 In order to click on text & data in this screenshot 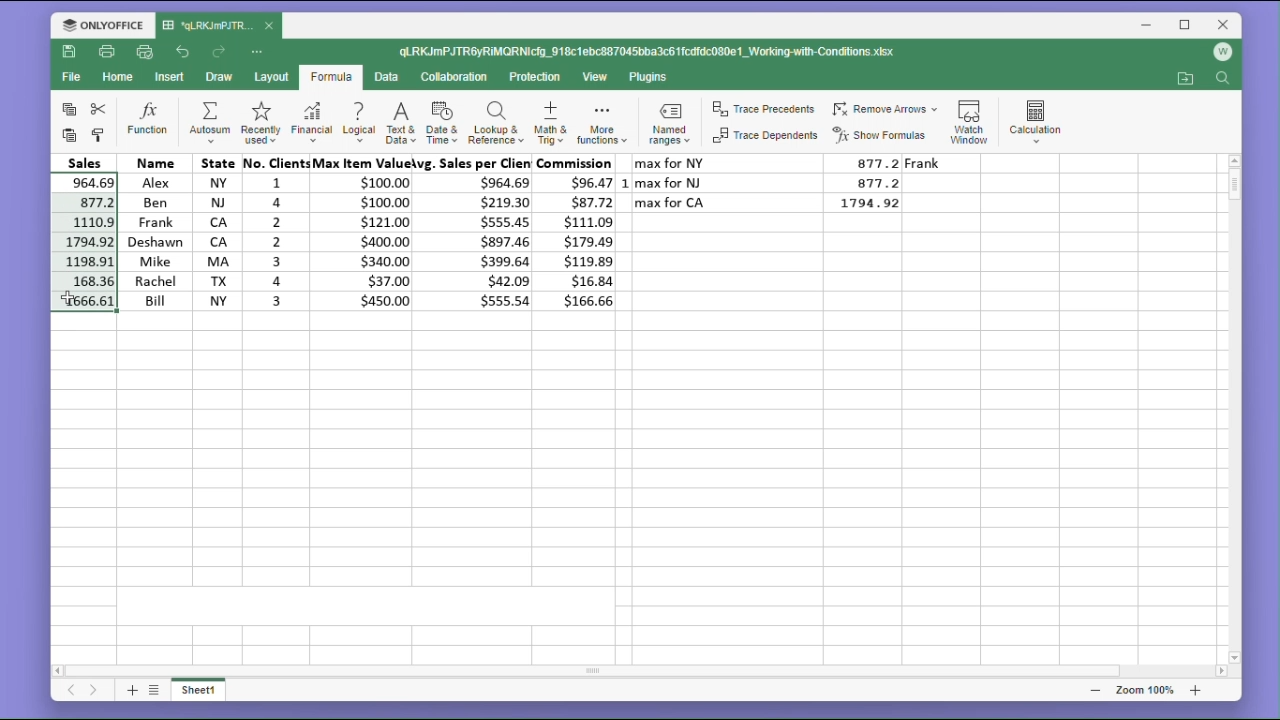, I will do `click(399, 122)`.